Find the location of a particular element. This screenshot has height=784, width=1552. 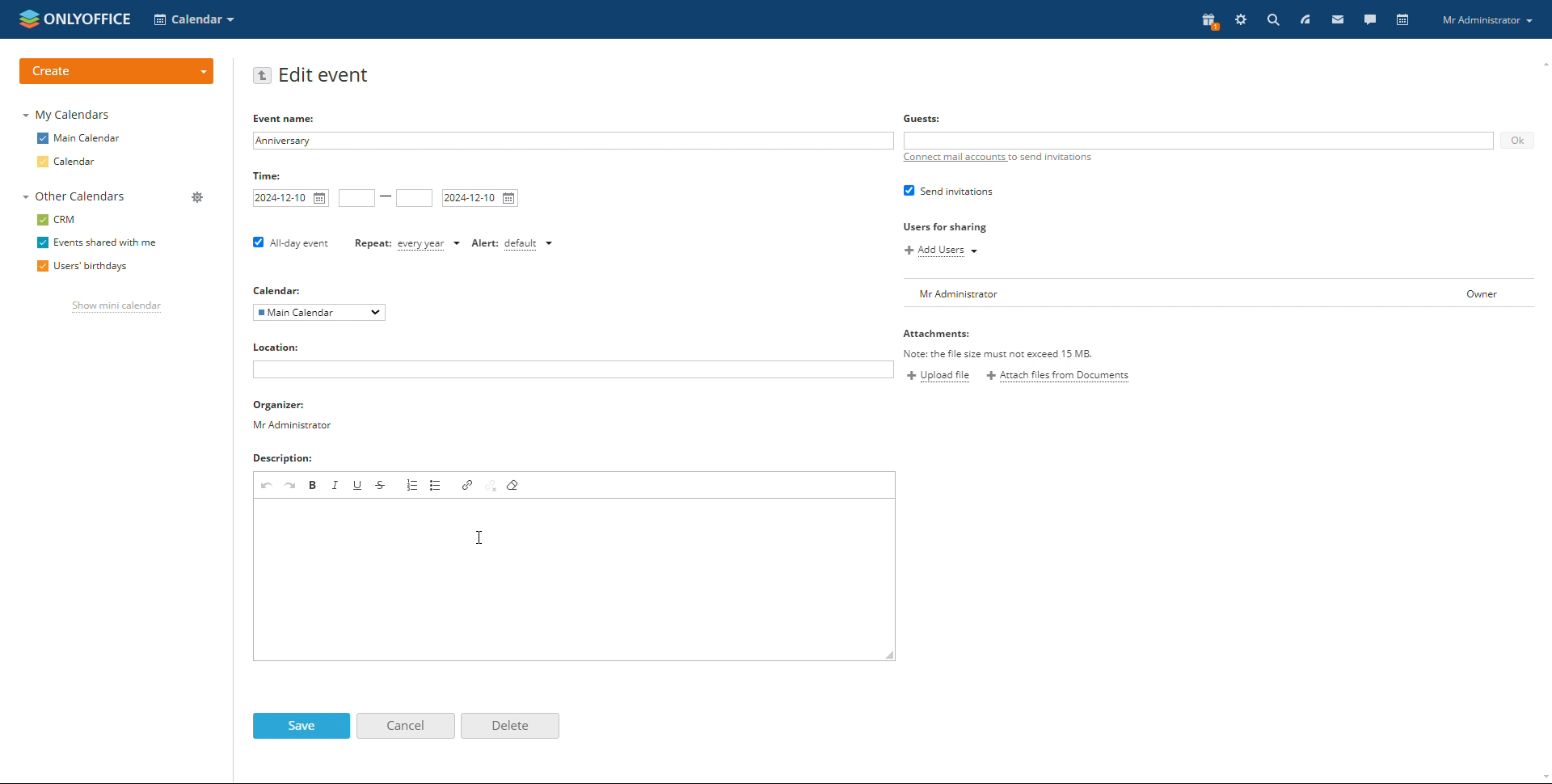

strikethrough is located at coordinates (380, 484).